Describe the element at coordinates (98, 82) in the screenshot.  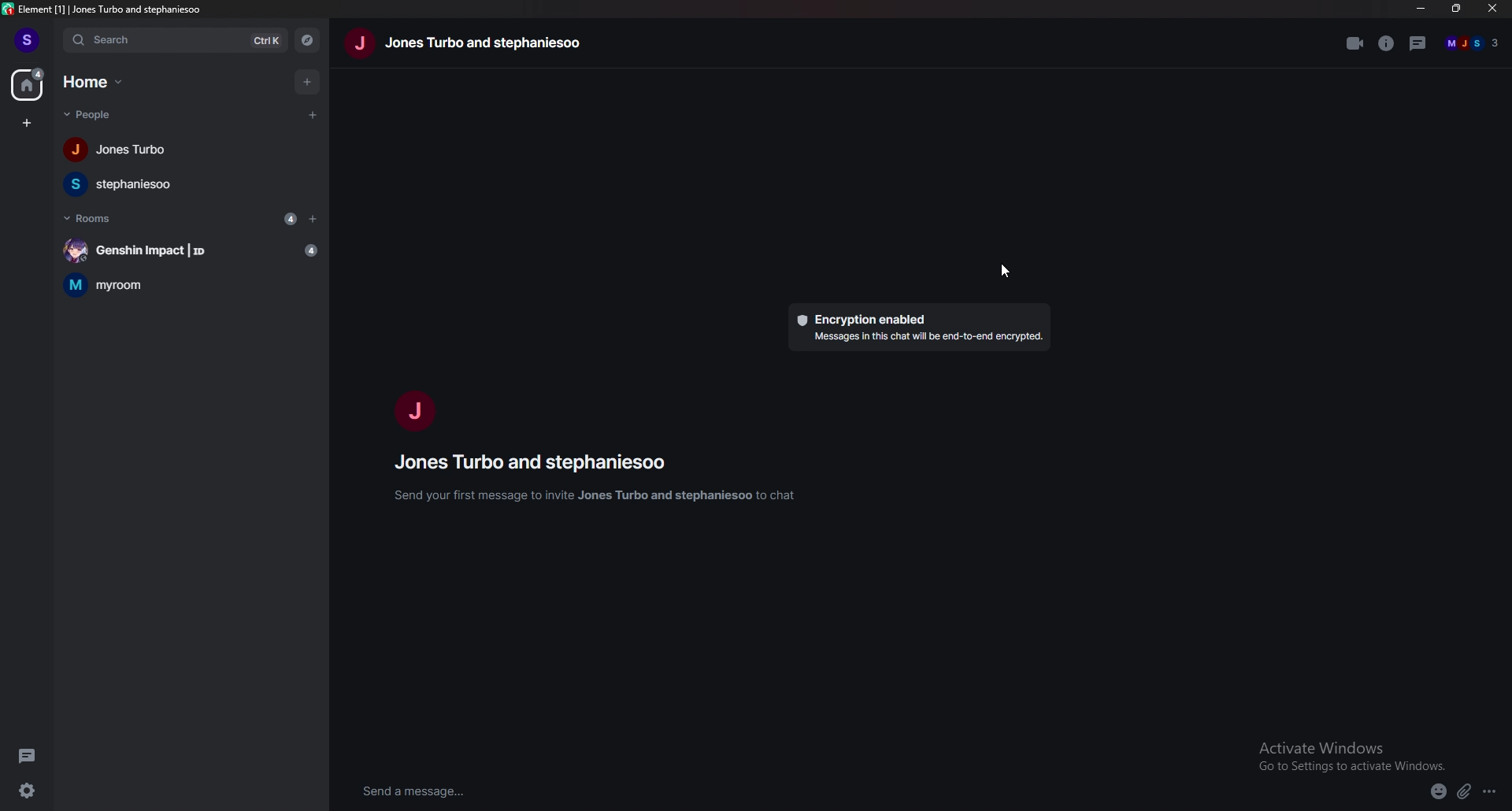
I see `home` at that location.